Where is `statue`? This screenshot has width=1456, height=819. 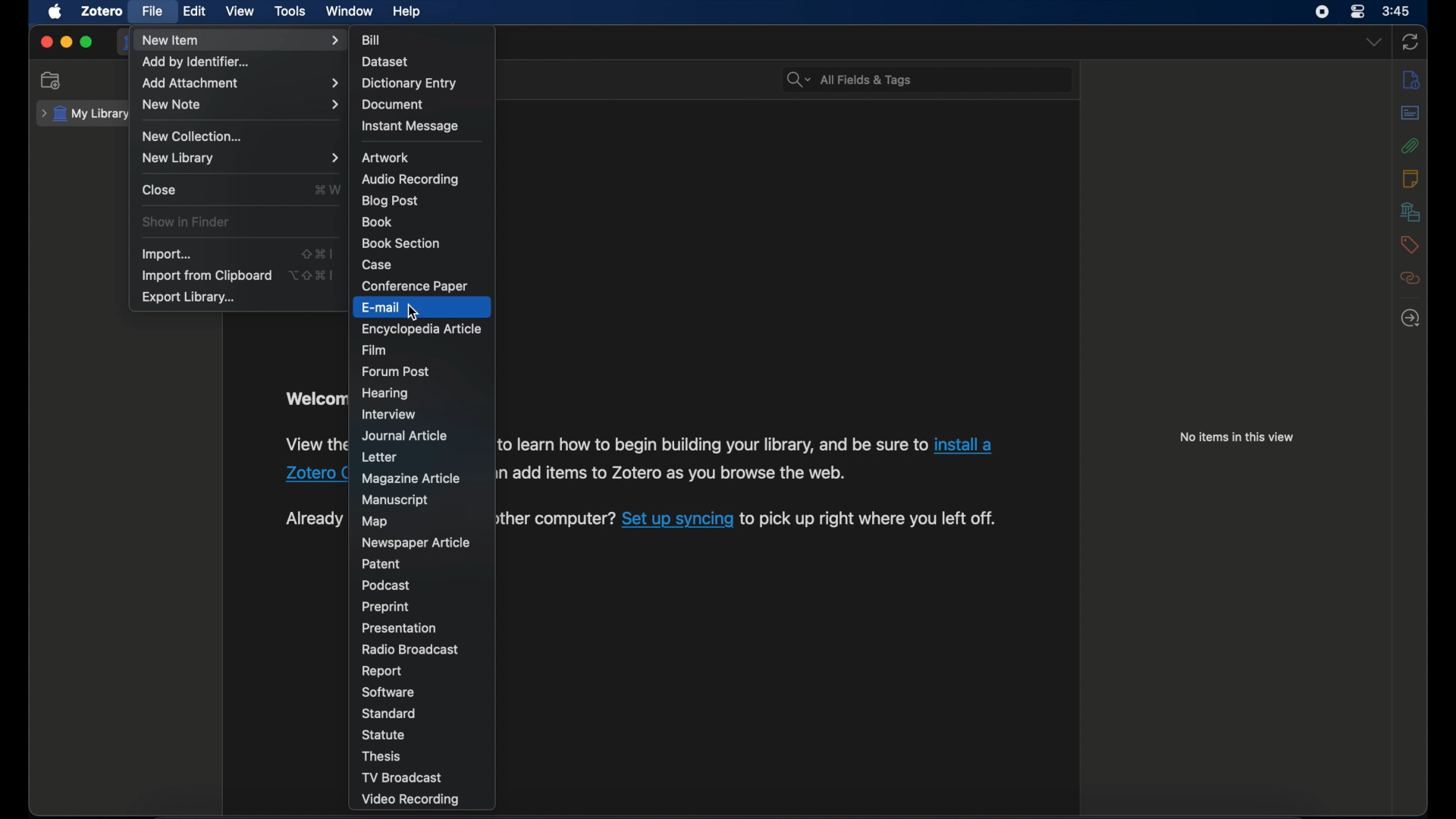 statue is located at coordinates (385, 735).